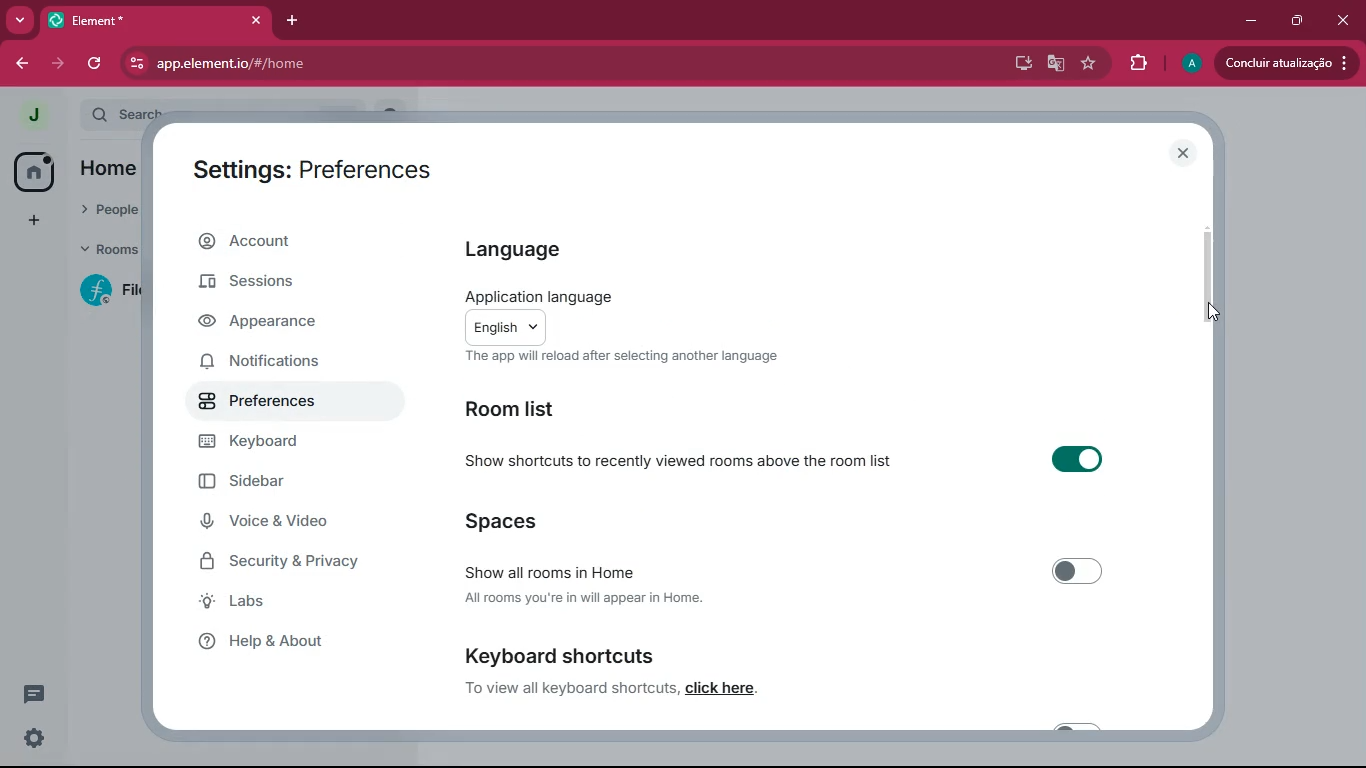  Describe the element at coordinates (277, 604) in the screenshot. I see `labs` at that location.